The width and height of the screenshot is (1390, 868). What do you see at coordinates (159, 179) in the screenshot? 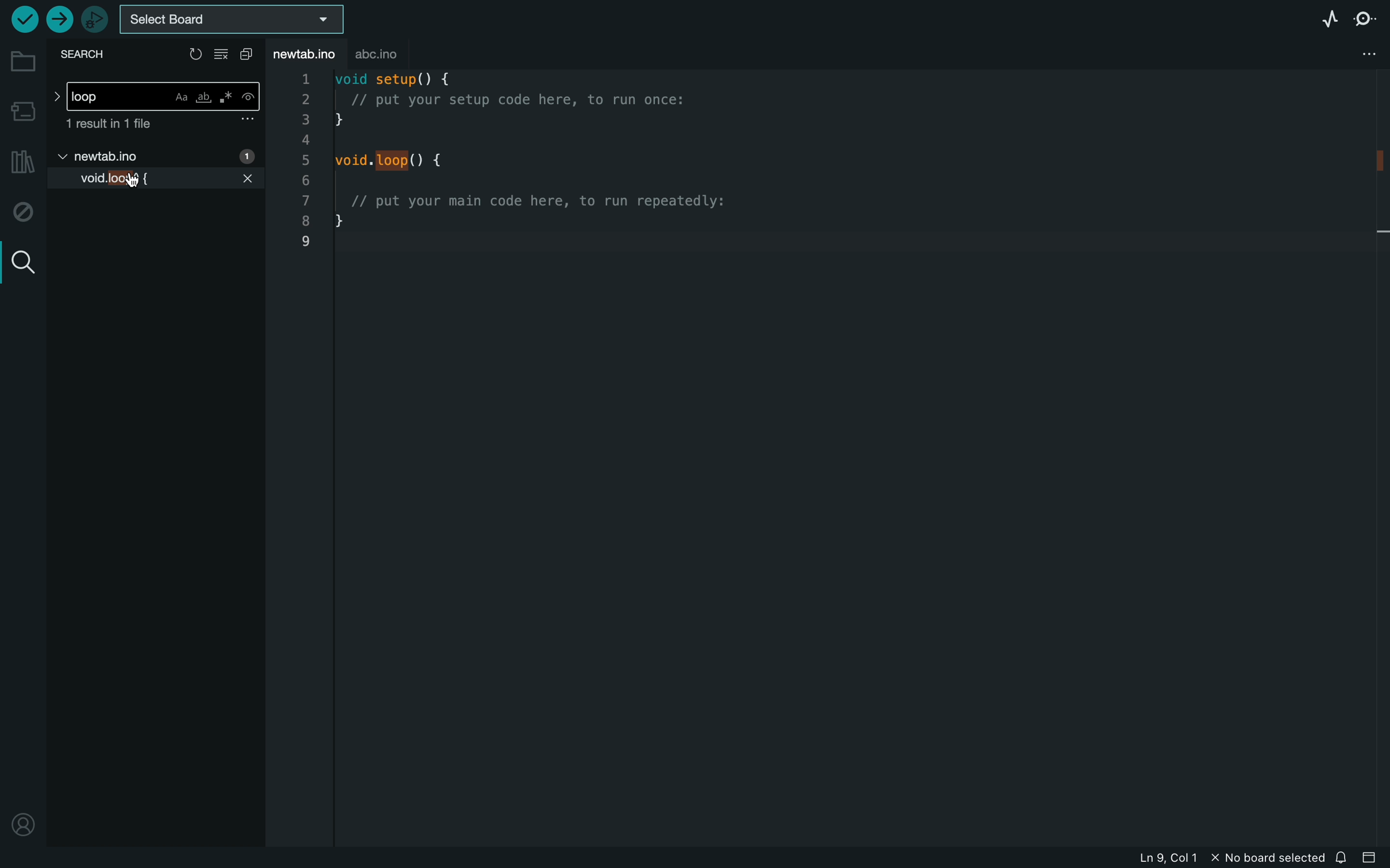
I see `search list` at bounding box center [159, 179].